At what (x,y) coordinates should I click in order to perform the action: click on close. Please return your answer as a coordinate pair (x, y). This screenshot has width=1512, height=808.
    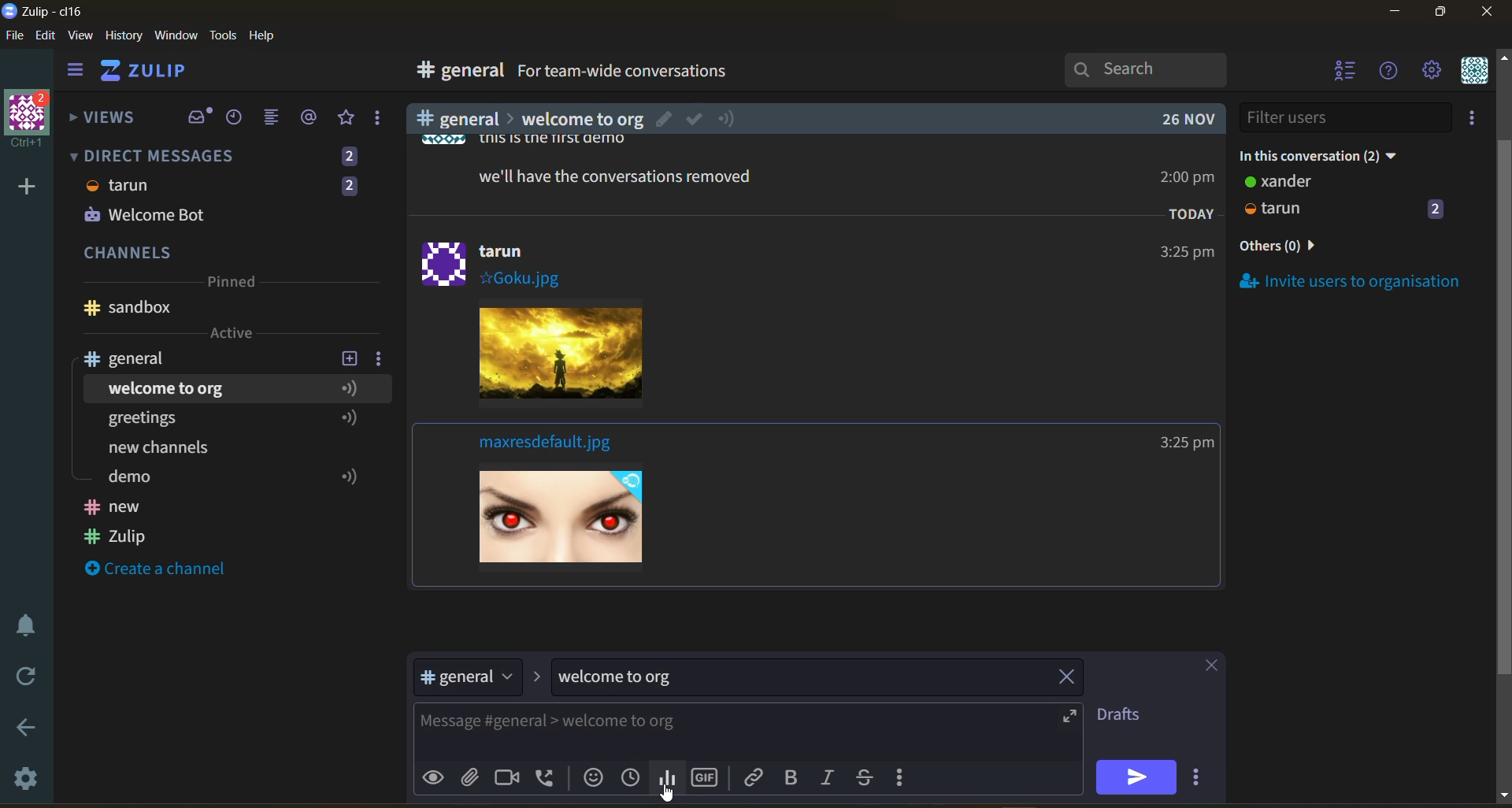
    Looking at the image, I should click on (1488, 17).